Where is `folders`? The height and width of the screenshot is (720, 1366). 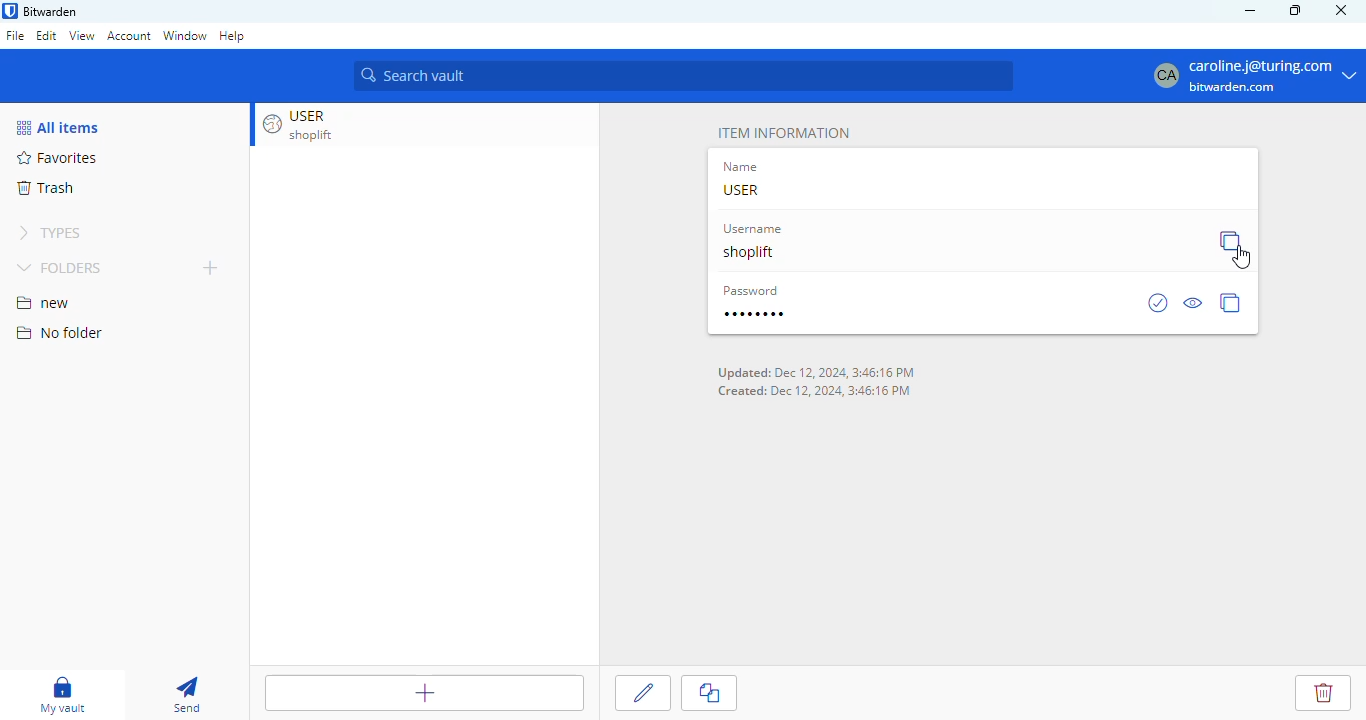 folders is located at coordinates (61, 267).